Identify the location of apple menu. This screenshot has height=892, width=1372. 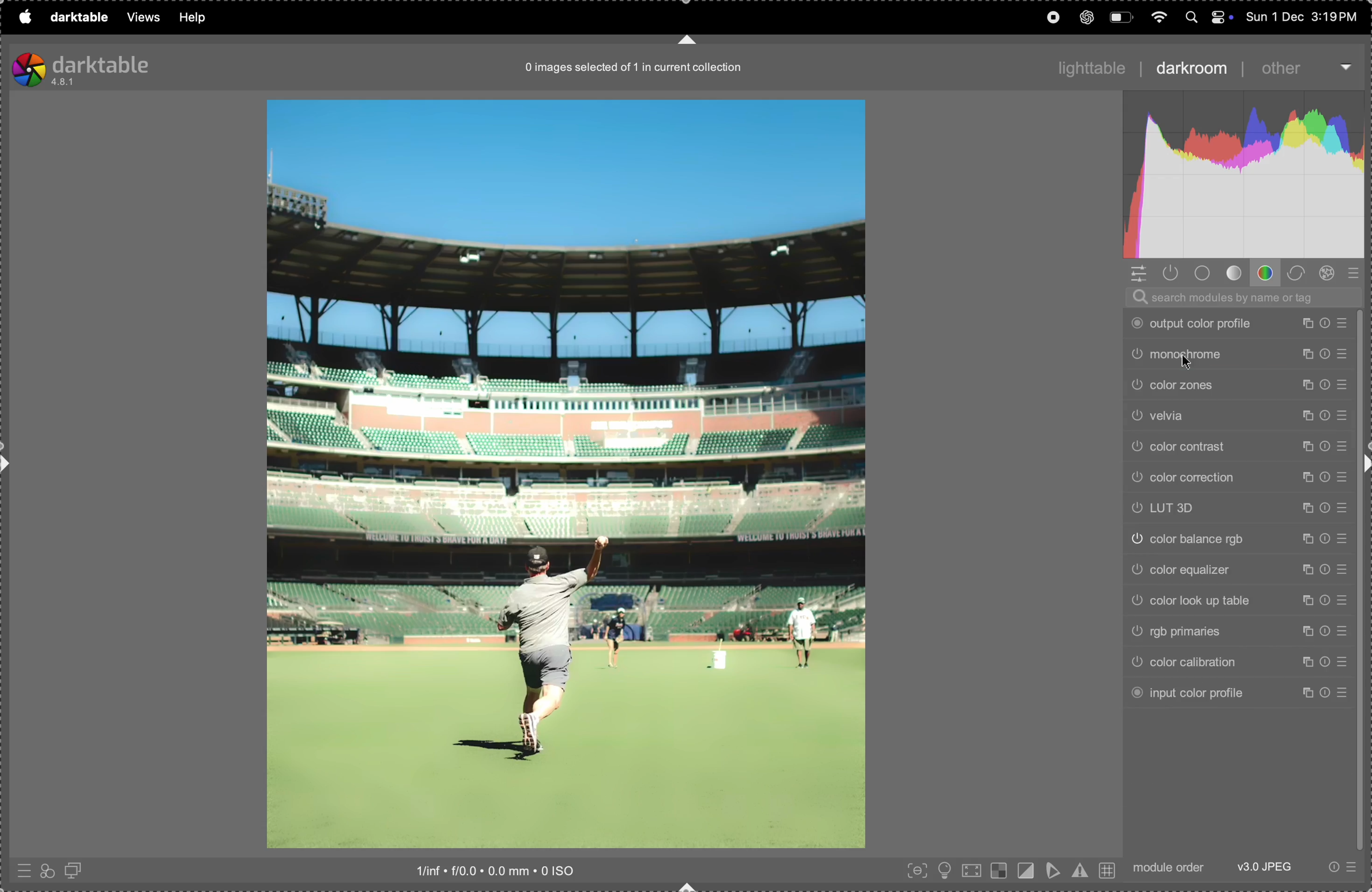
(24, 17).